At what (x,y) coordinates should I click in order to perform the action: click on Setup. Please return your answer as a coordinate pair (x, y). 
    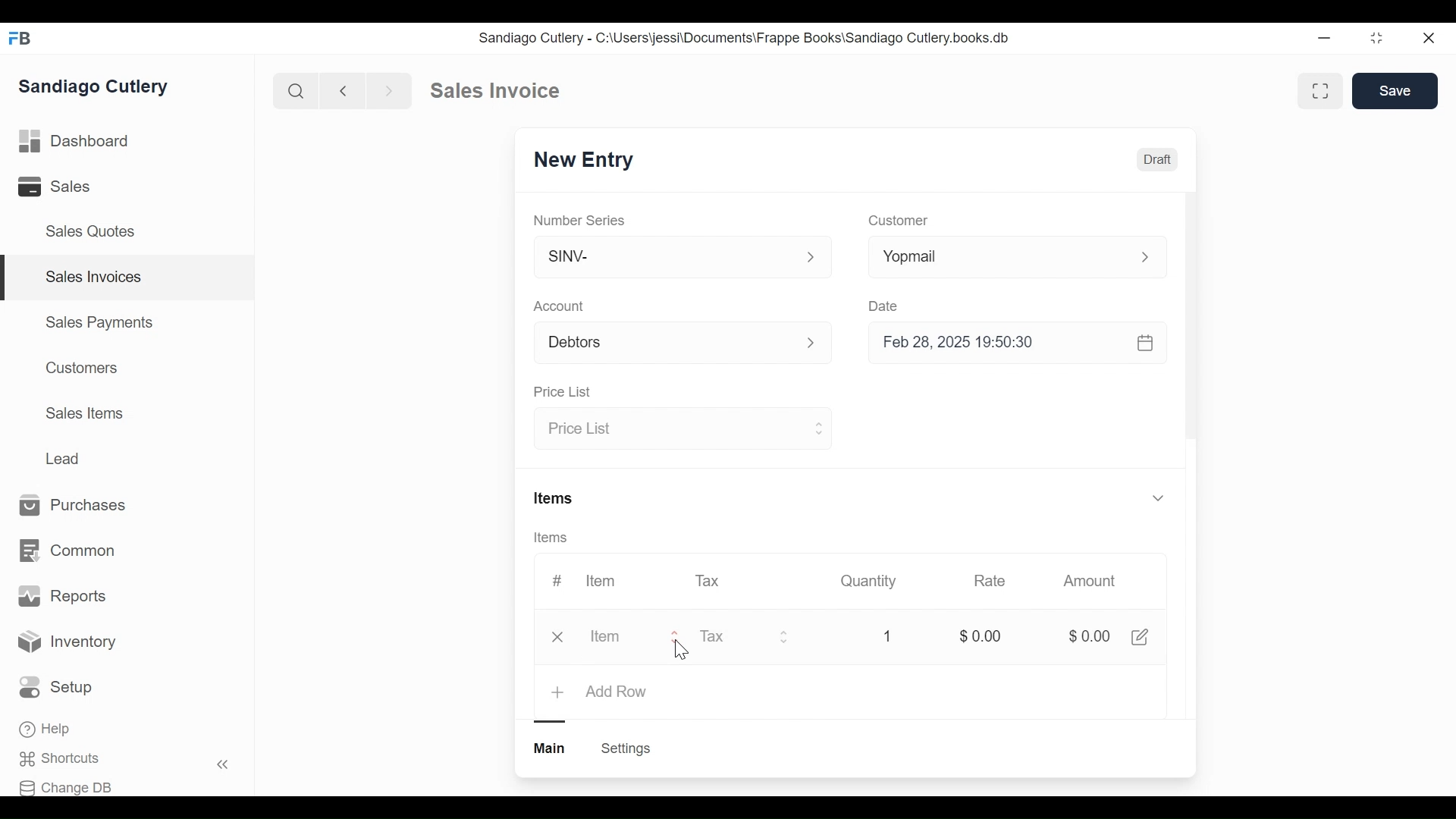
    Looking at the image, I should click on (56, 687).